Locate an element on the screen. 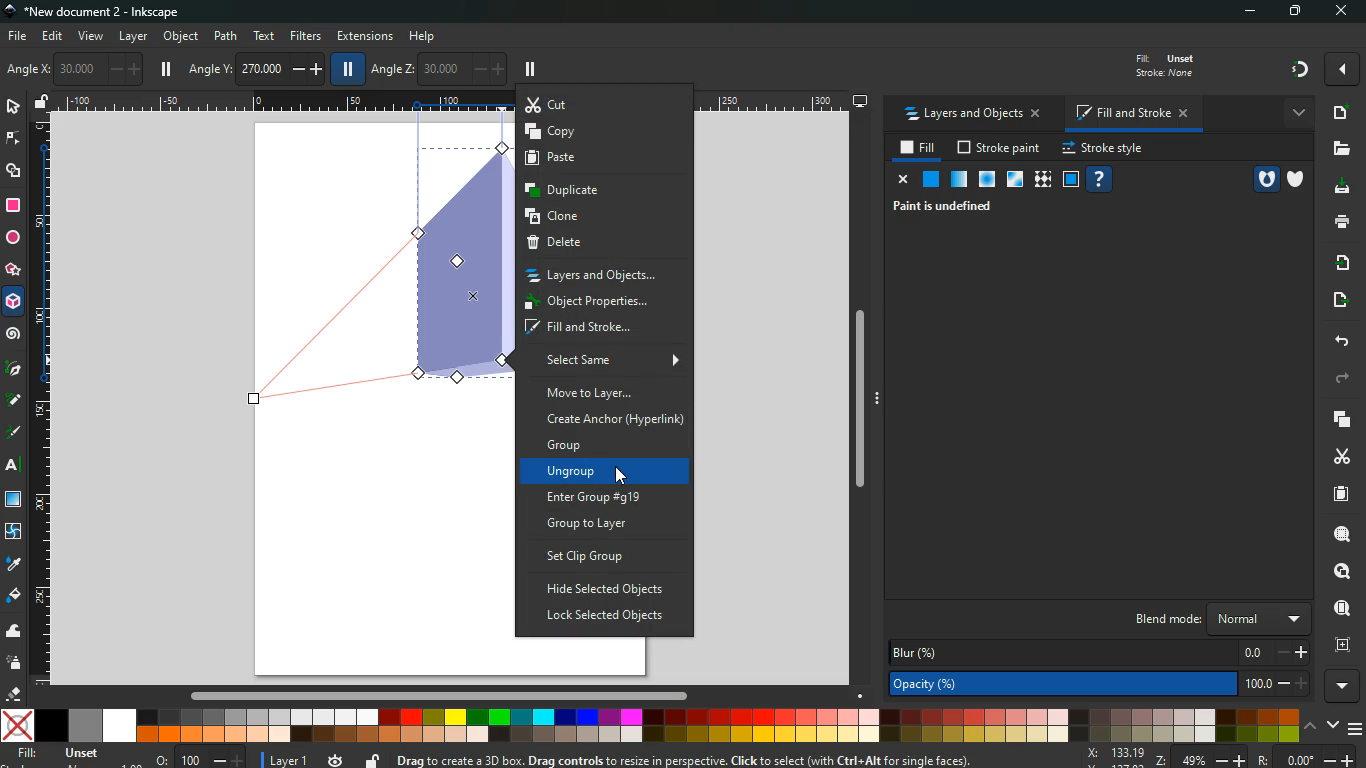 Image resolution: width=1366 pixels, height=768 pixels. new is located at coordinates (1338, 113).